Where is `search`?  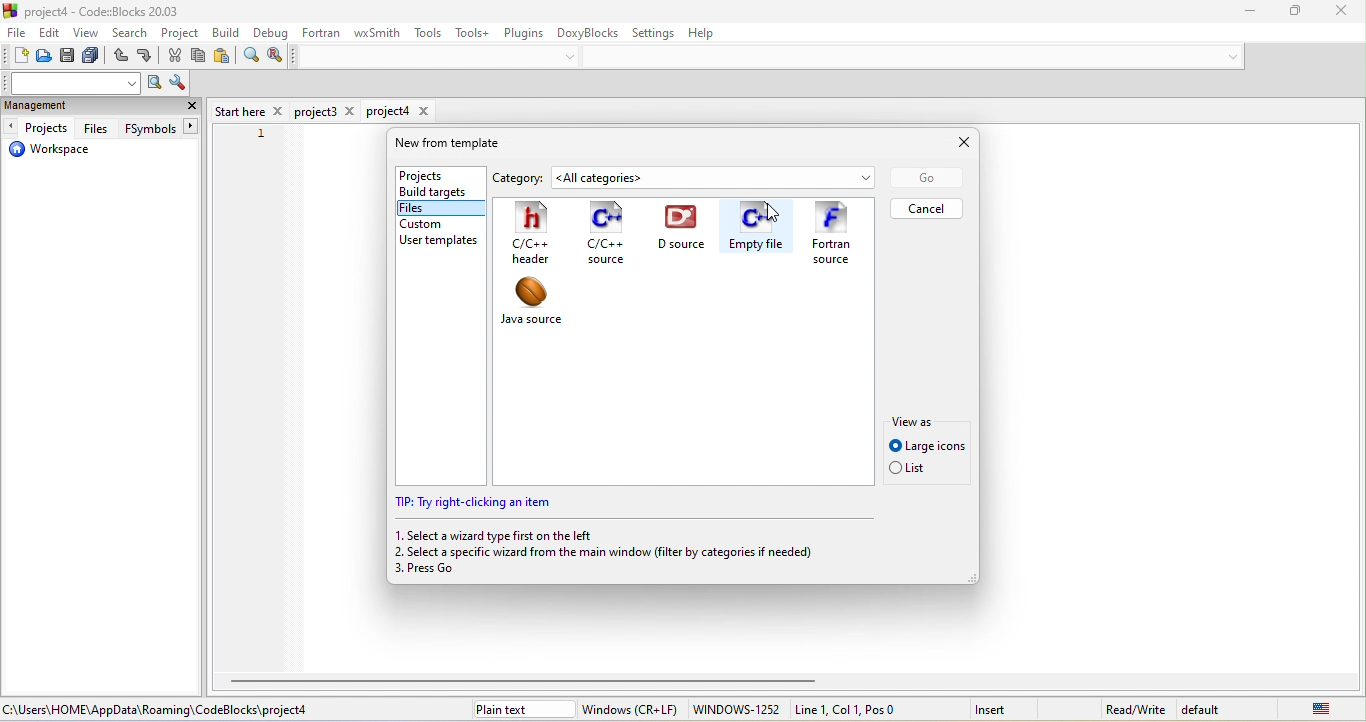
search is located at coordinates (132, 35).